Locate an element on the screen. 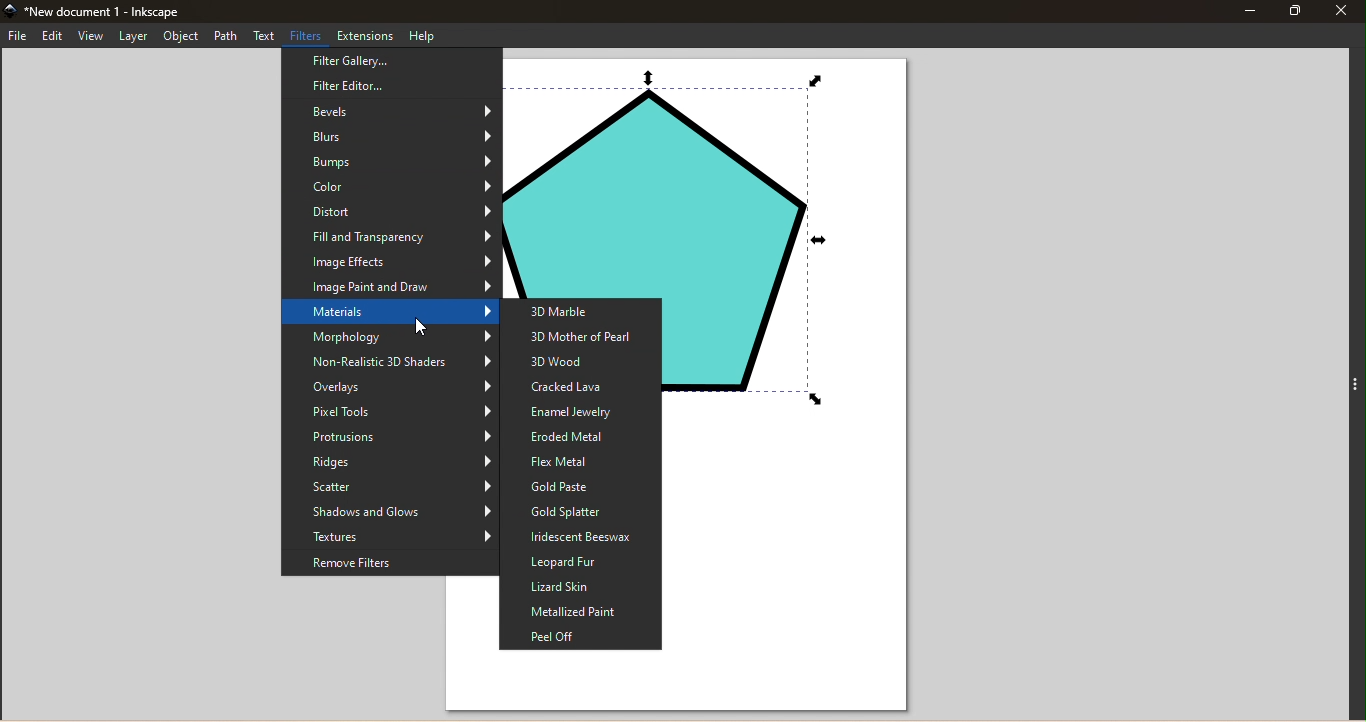 This screenshot has width=1366, height=722. Iridescent Beeswax is located at coordinates (581, 538).